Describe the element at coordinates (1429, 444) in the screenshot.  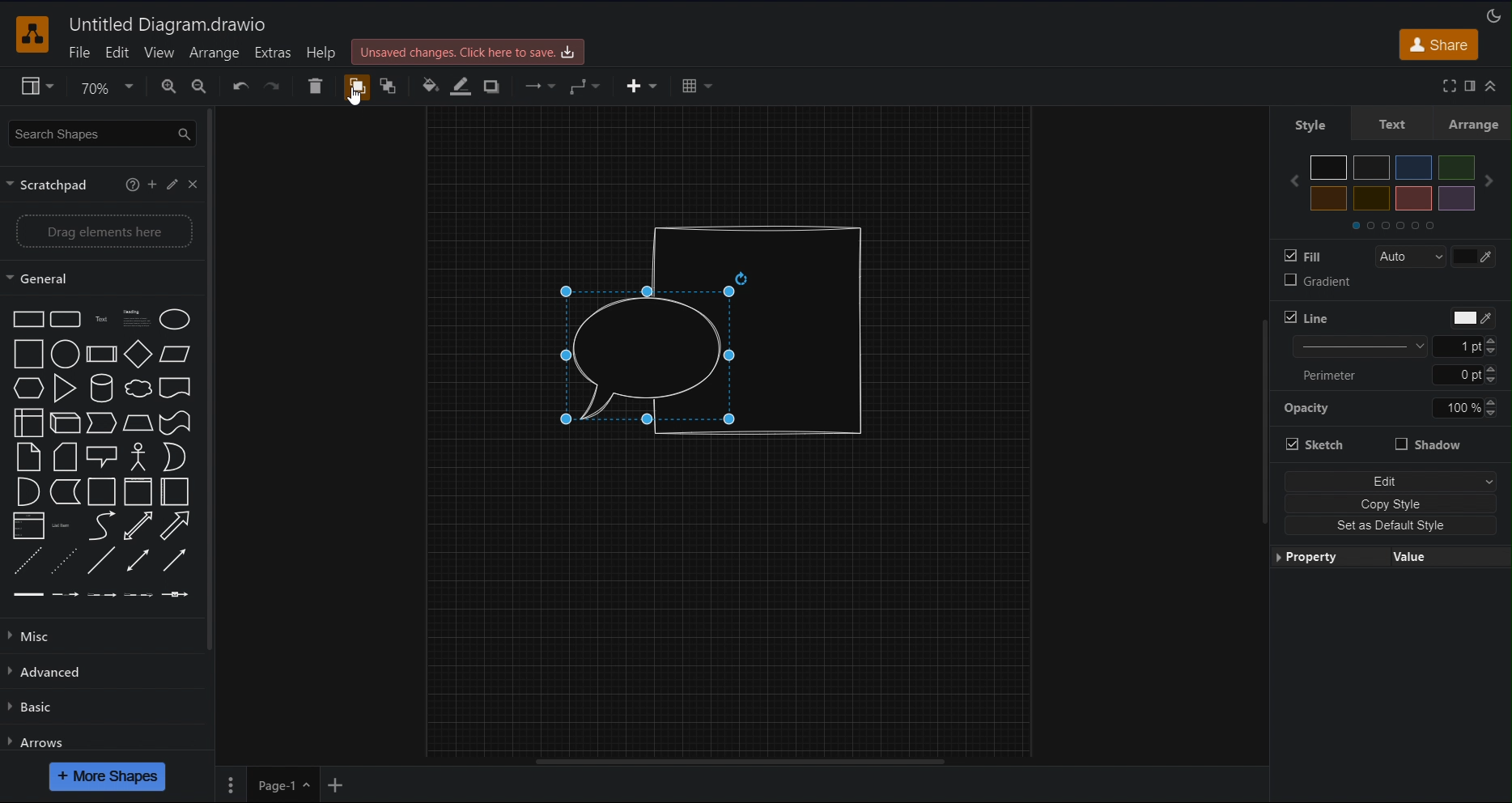
I see `Shadow` at that location.